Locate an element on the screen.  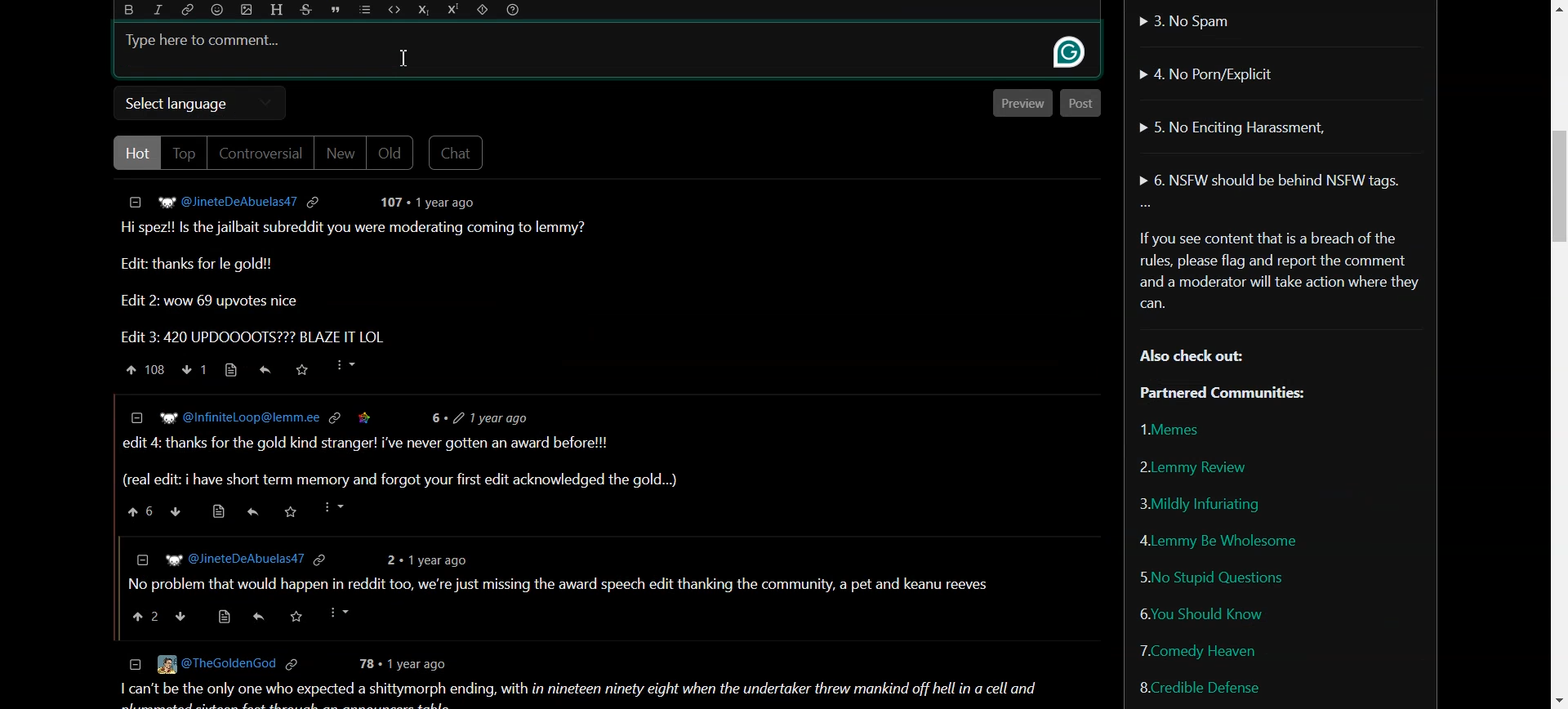
reply is located at coordinates (257, 618).